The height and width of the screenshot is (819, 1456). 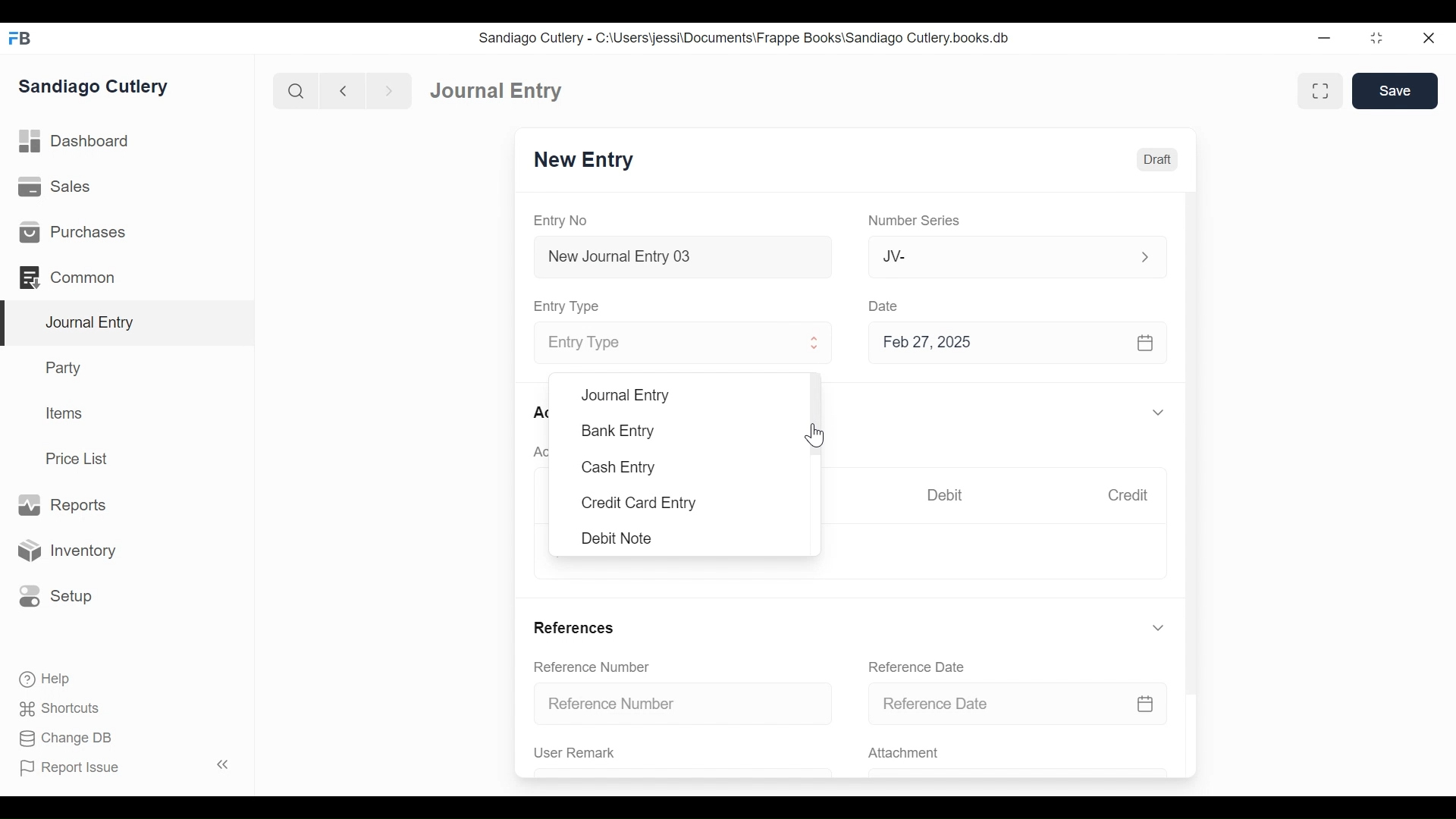 I want to click on Report Issue, so click(x=71, y=768).